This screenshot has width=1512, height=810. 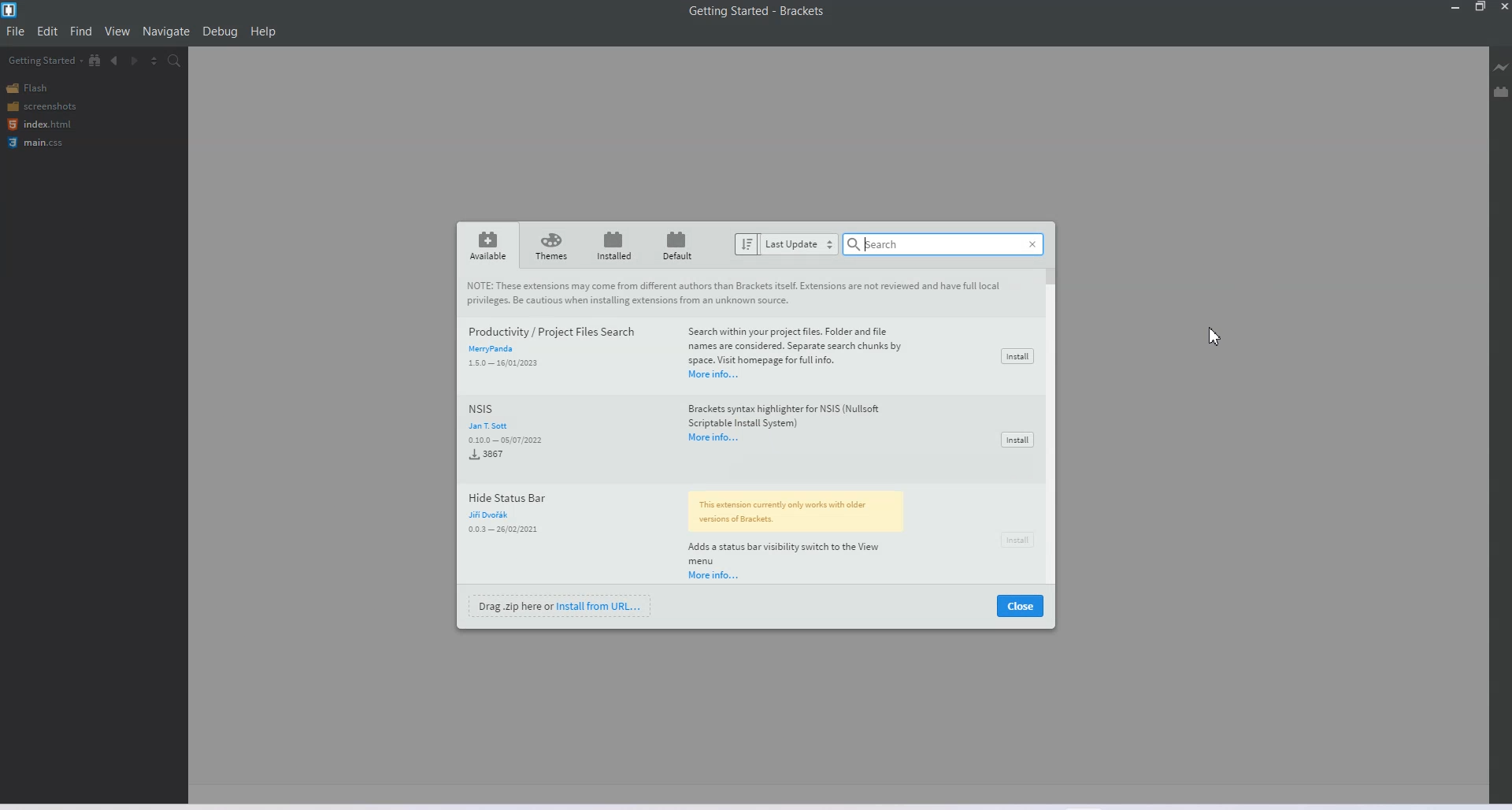 What do you see at coordinates (1456, 7) in the screenshot?
I see `Minimize` at bounding box center [1456, 7].